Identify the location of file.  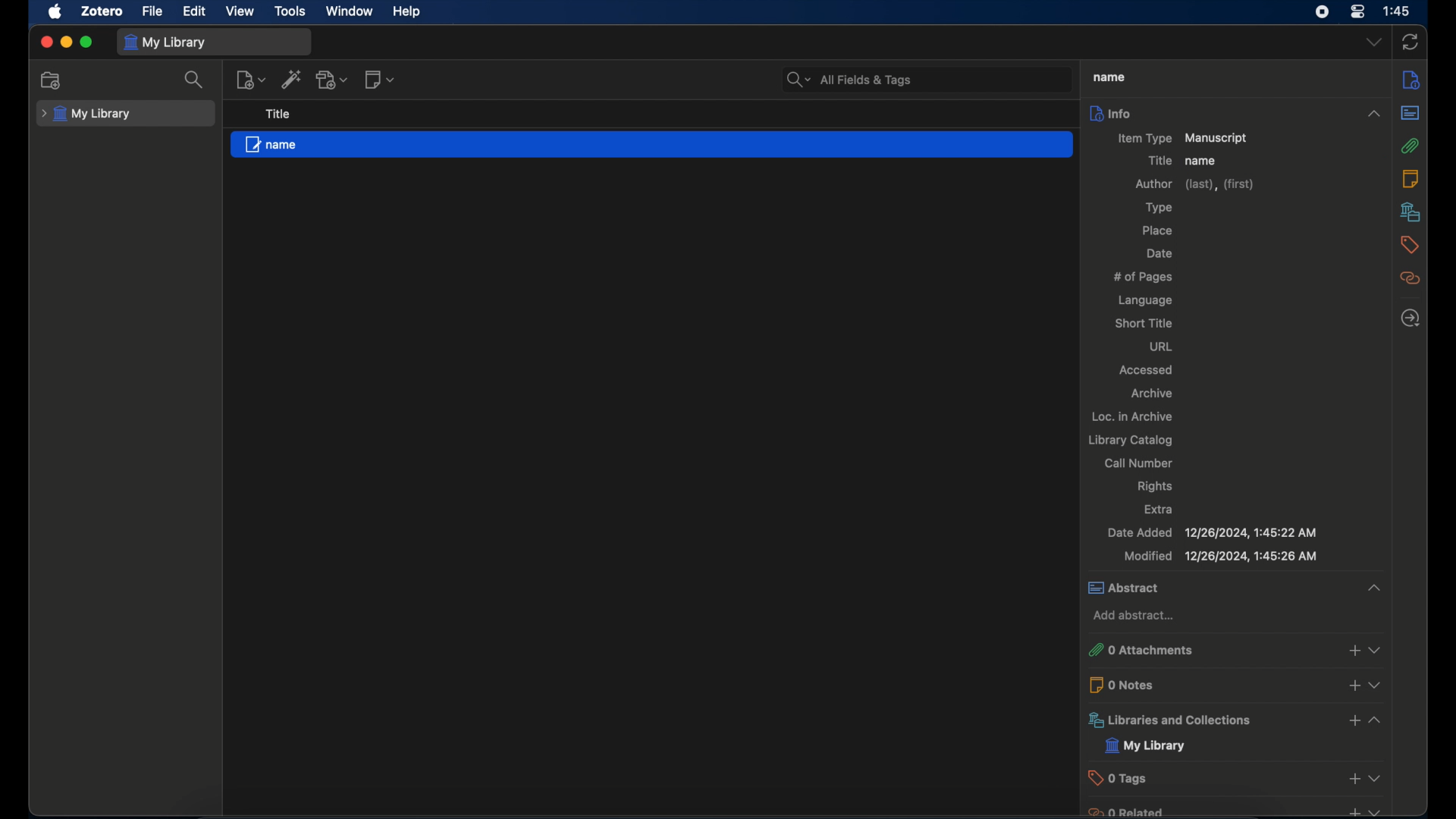
(153, 11).